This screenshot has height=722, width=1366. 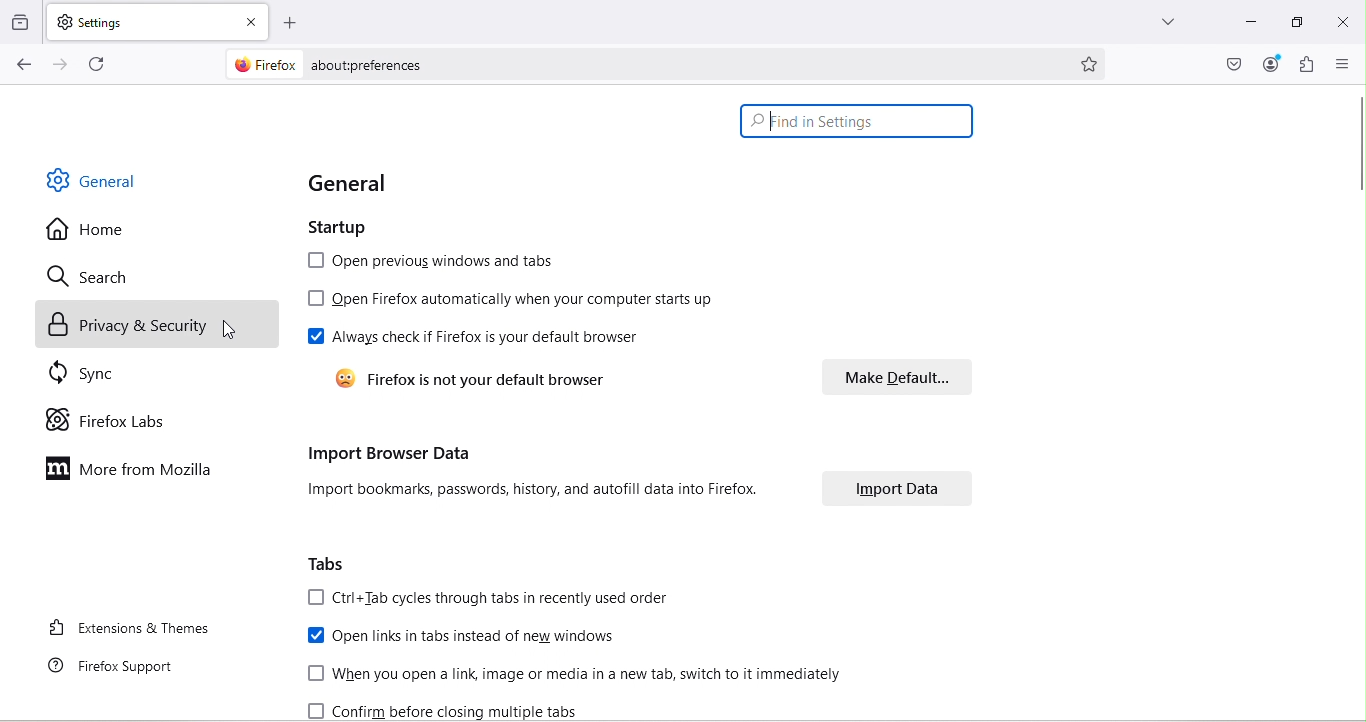 I want to click on Save to pocket, so click(x=1229, y=62).